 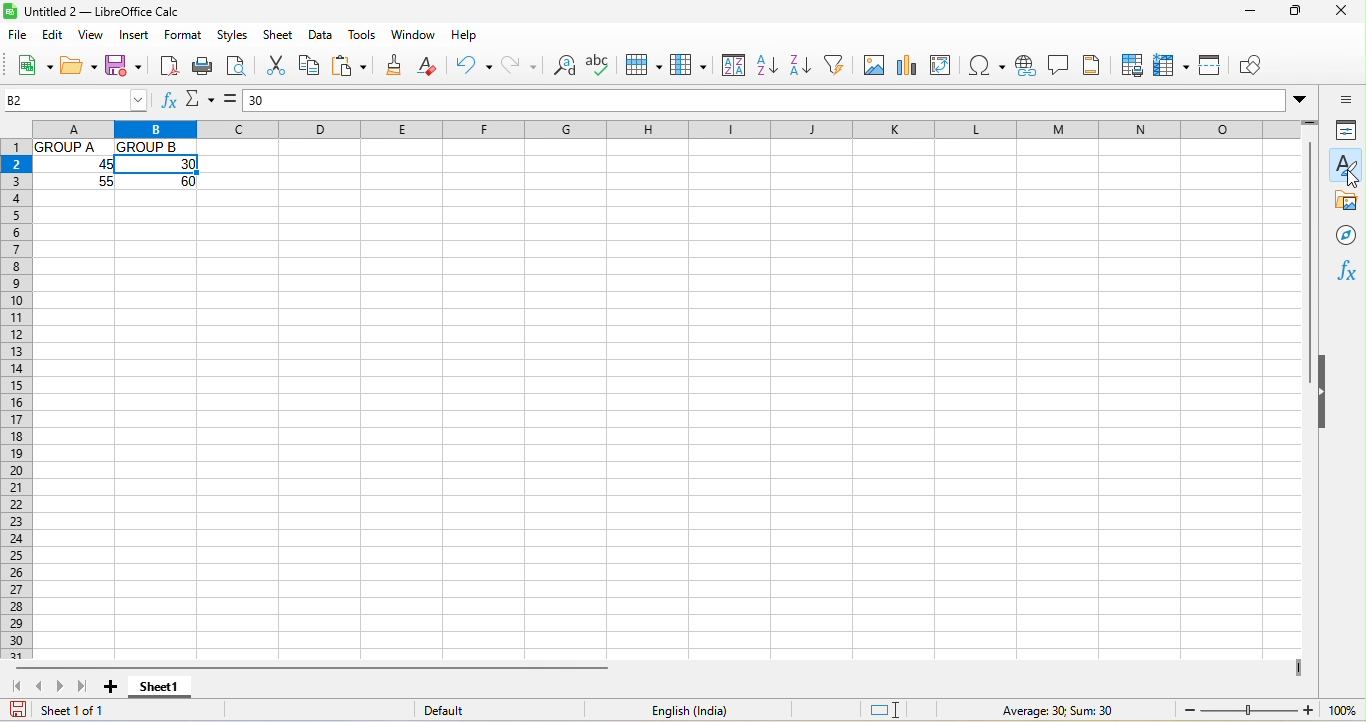 What do you see at coordinates (65, 690) in the screenshot?
I see `next sheet` at bounding box center [65, 690].